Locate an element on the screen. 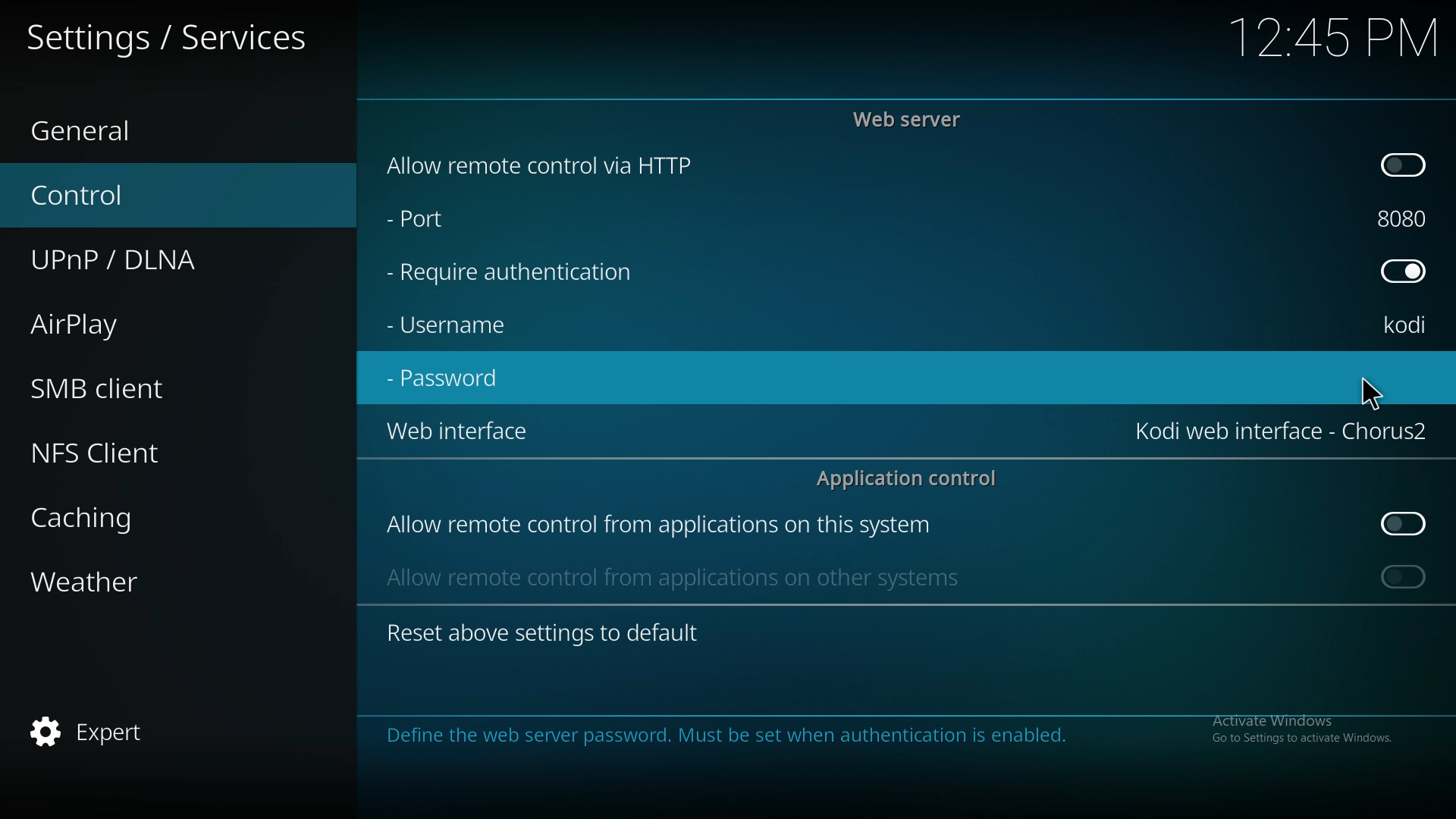 The width and height of the screenshot is (1456, 819). upnp/dlna is located at coordinates (156, 254).